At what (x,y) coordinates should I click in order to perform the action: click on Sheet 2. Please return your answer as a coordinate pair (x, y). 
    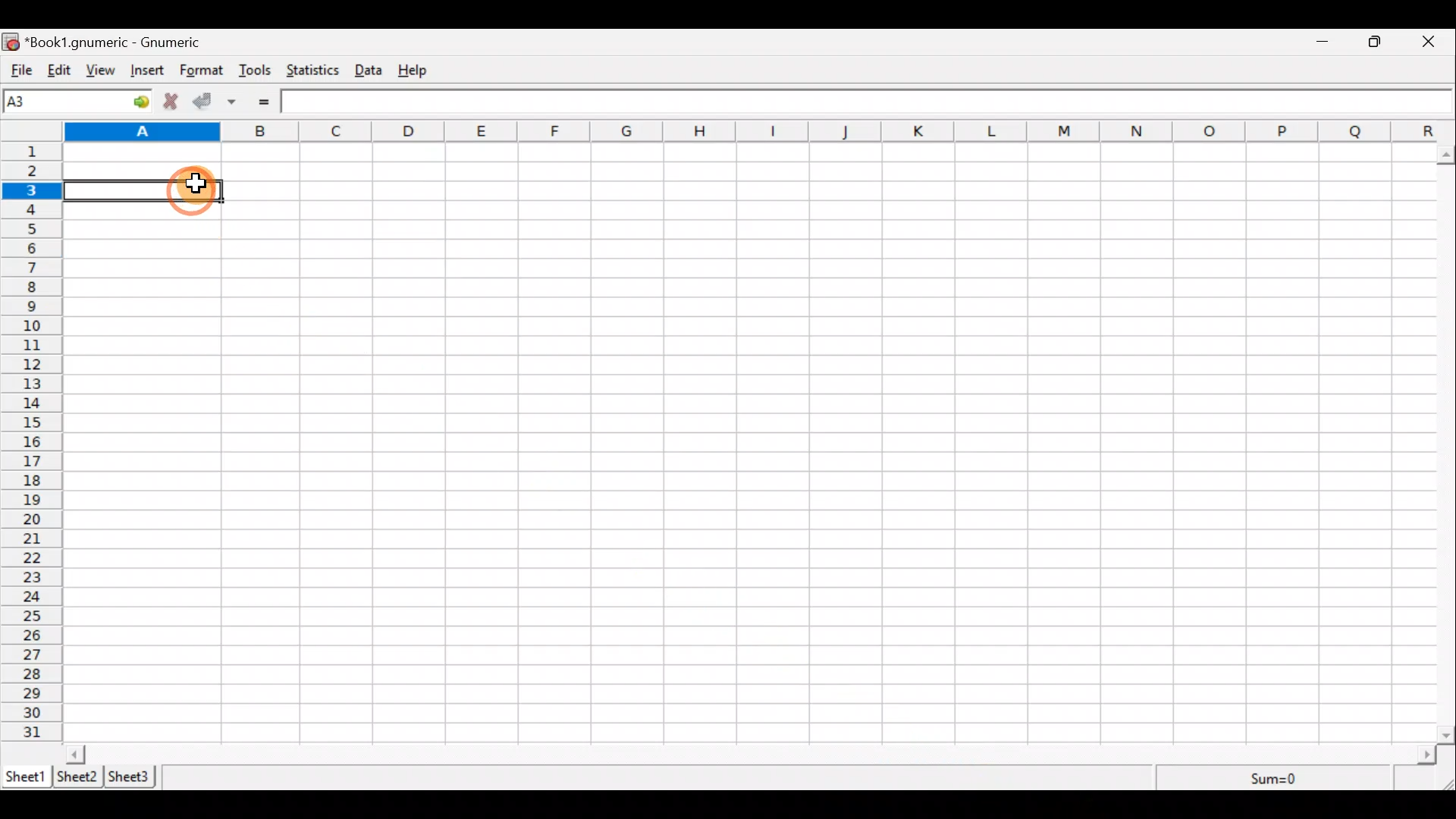
    Looking at the image, I should click on (78, 776).